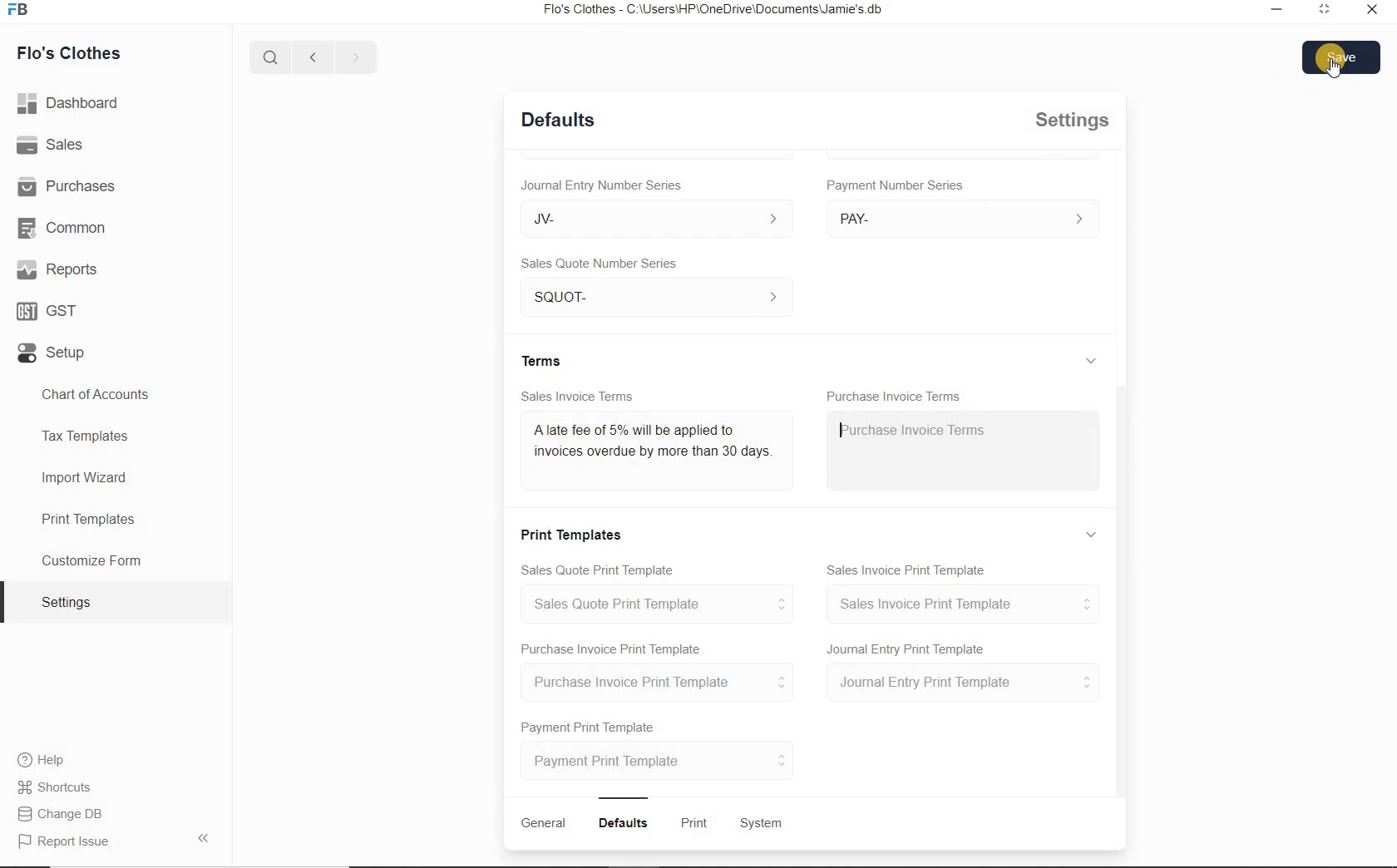 This screenshot has width=1397, height=868. I want to click on Chart of Accounts, so click(96, 393).